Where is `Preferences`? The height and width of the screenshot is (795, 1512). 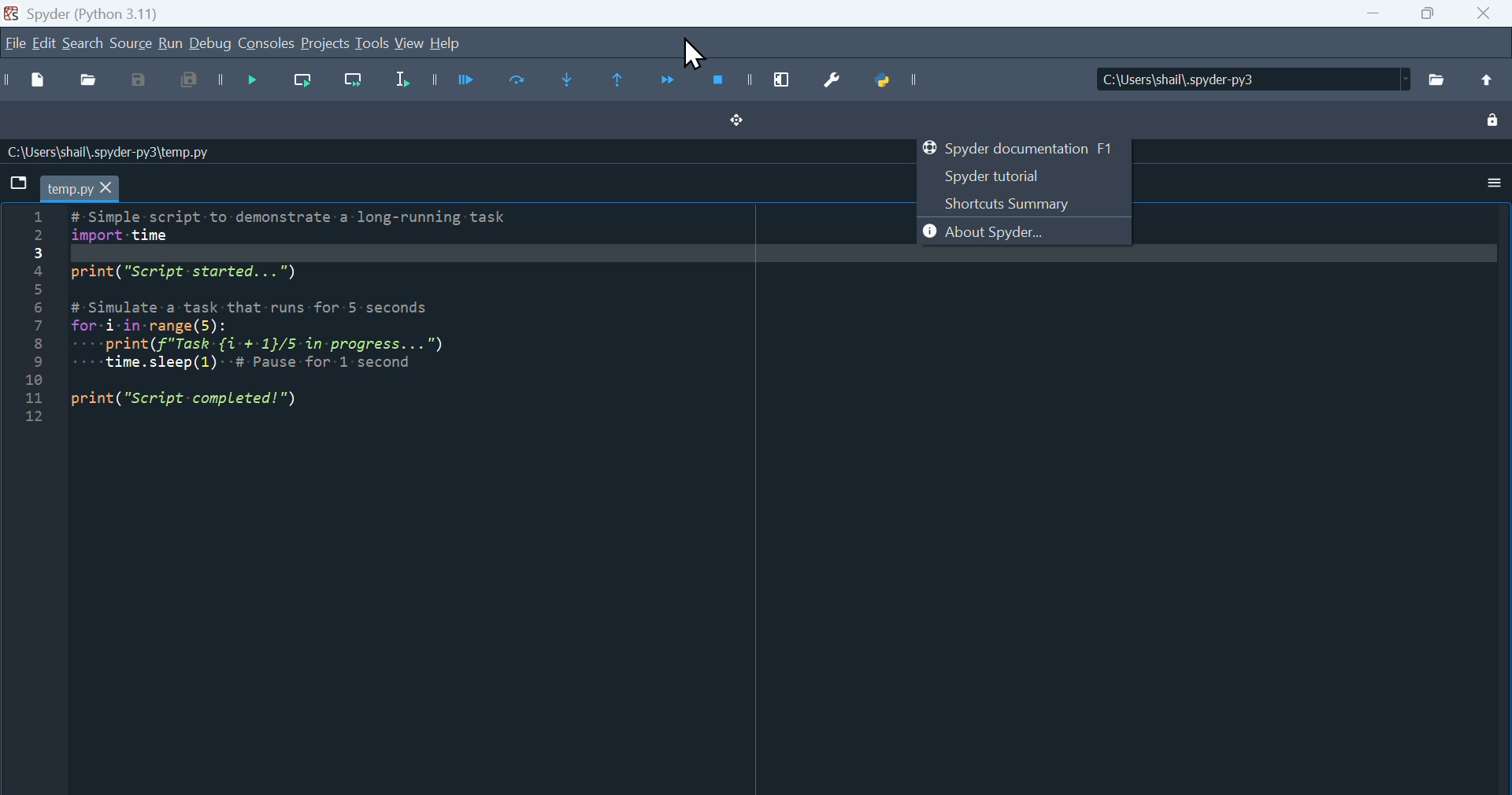 Preferences is located at coordinates (837, 79).